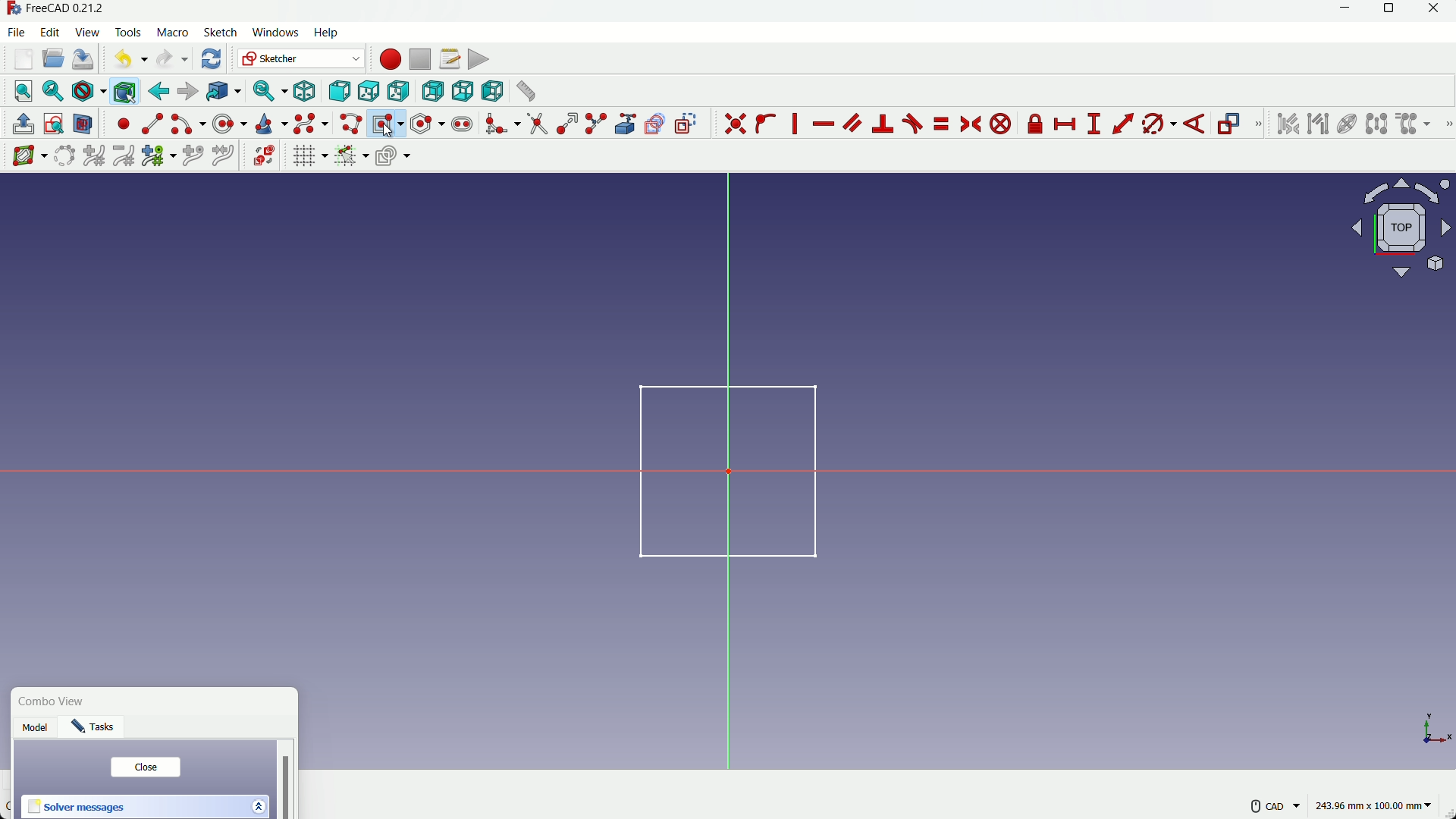 The width and height of the screenshot is (1456, 819). Describe the element at coordinates (654, 124) in the screenshot. I see `create carbon copy` at that location.